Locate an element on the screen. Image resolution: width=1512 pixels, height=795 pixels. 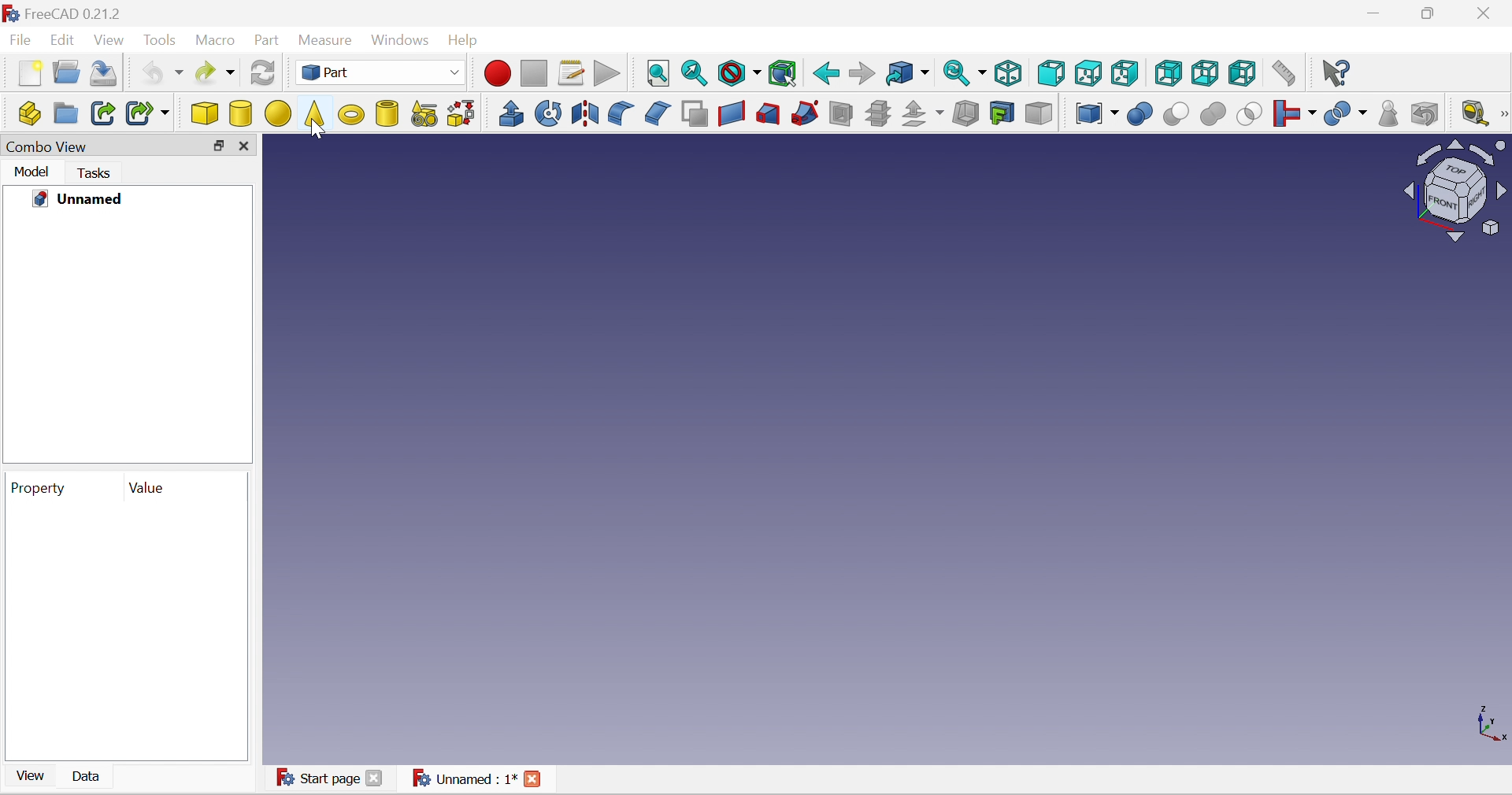
cursor is located at coordinates (319, 138).